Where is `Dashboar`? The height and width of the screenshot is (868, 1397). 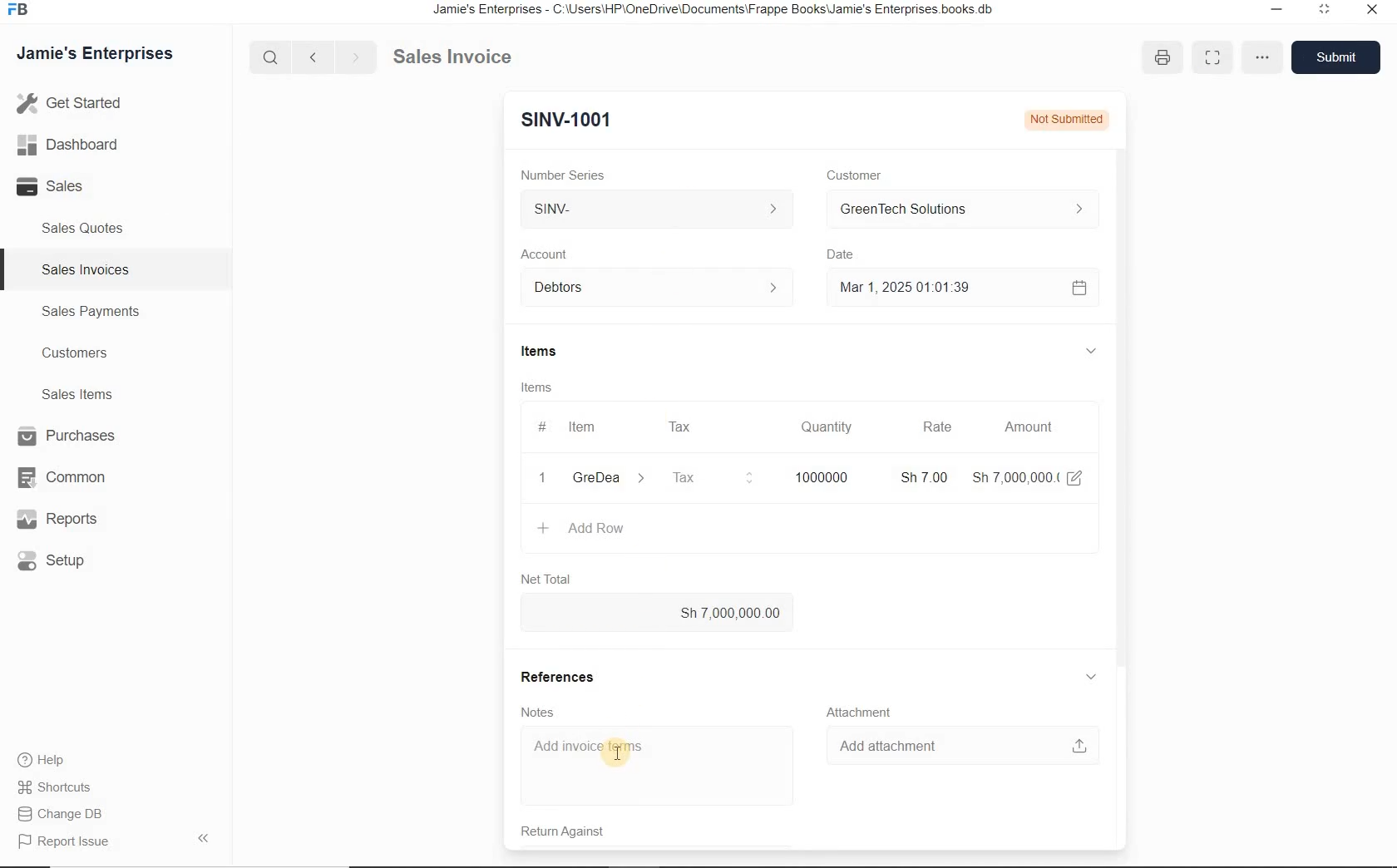
Dashboar is located at coordinates (68, 144).